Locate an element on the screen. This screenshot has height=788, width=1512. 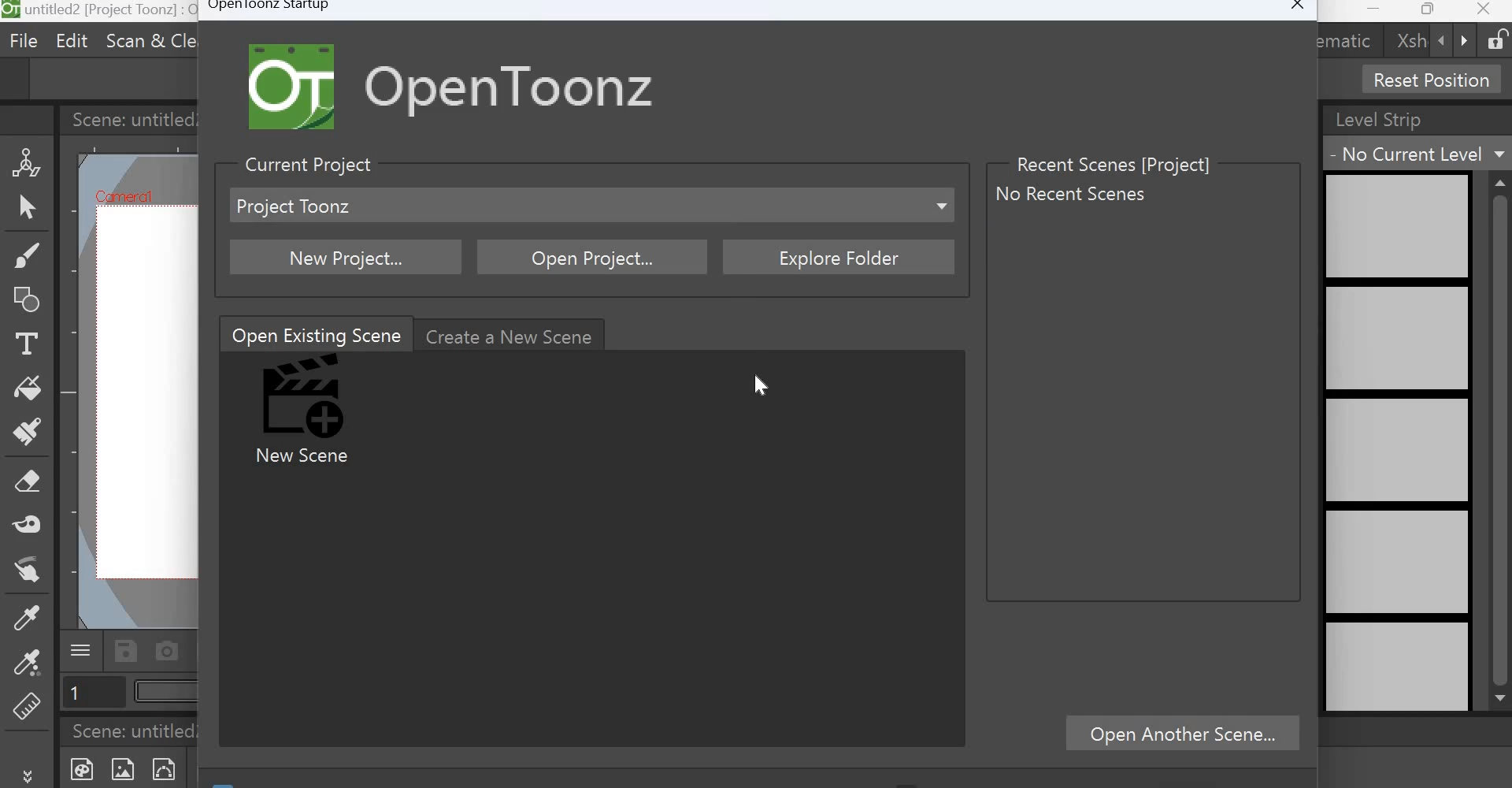
Scene: untitled2 is located at coordinates (139, 731).